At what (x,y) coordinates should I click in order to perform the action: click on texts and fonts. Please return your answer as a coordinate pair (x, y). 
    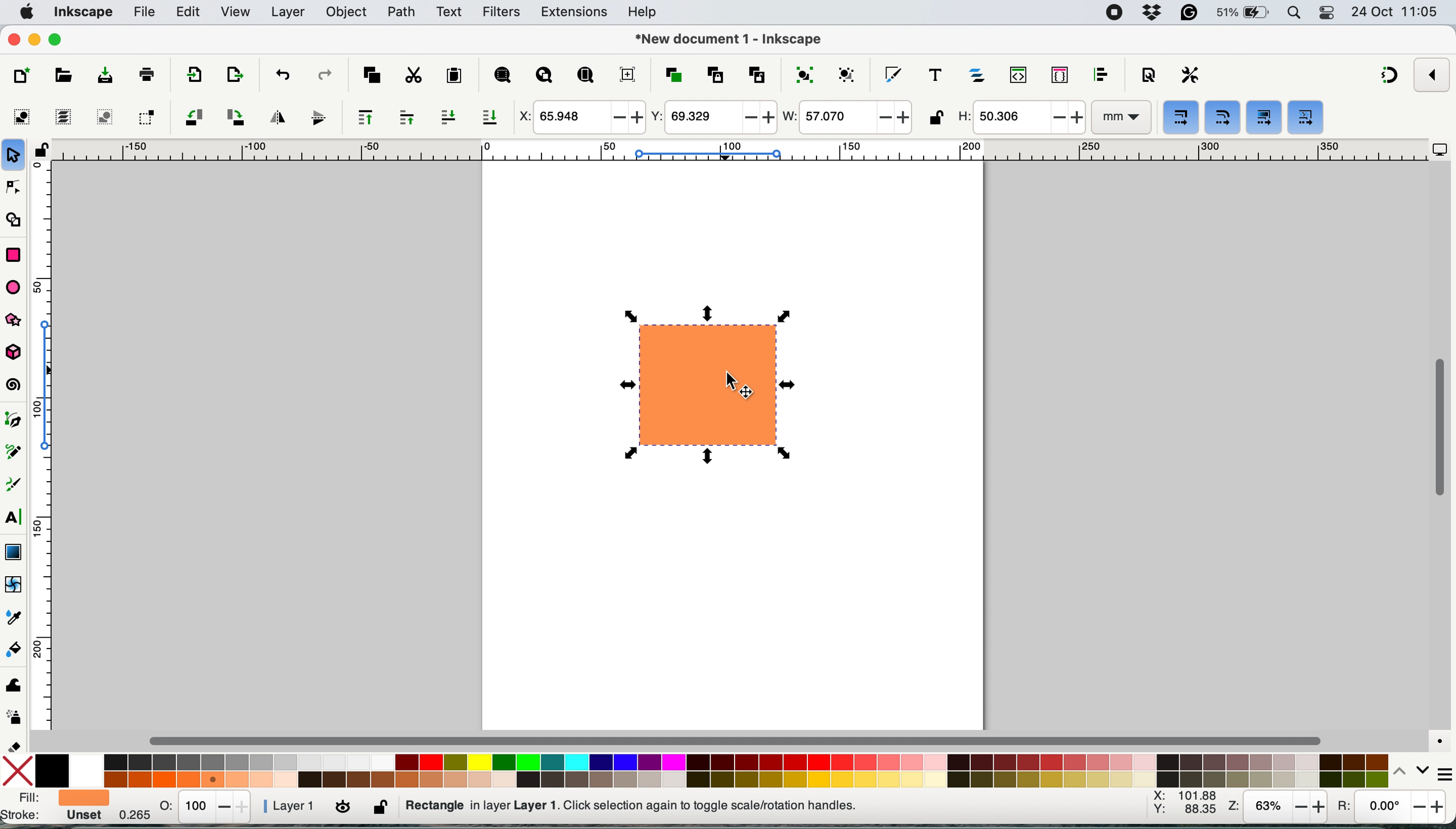
    Looking at the image, I should click on (935, 75).